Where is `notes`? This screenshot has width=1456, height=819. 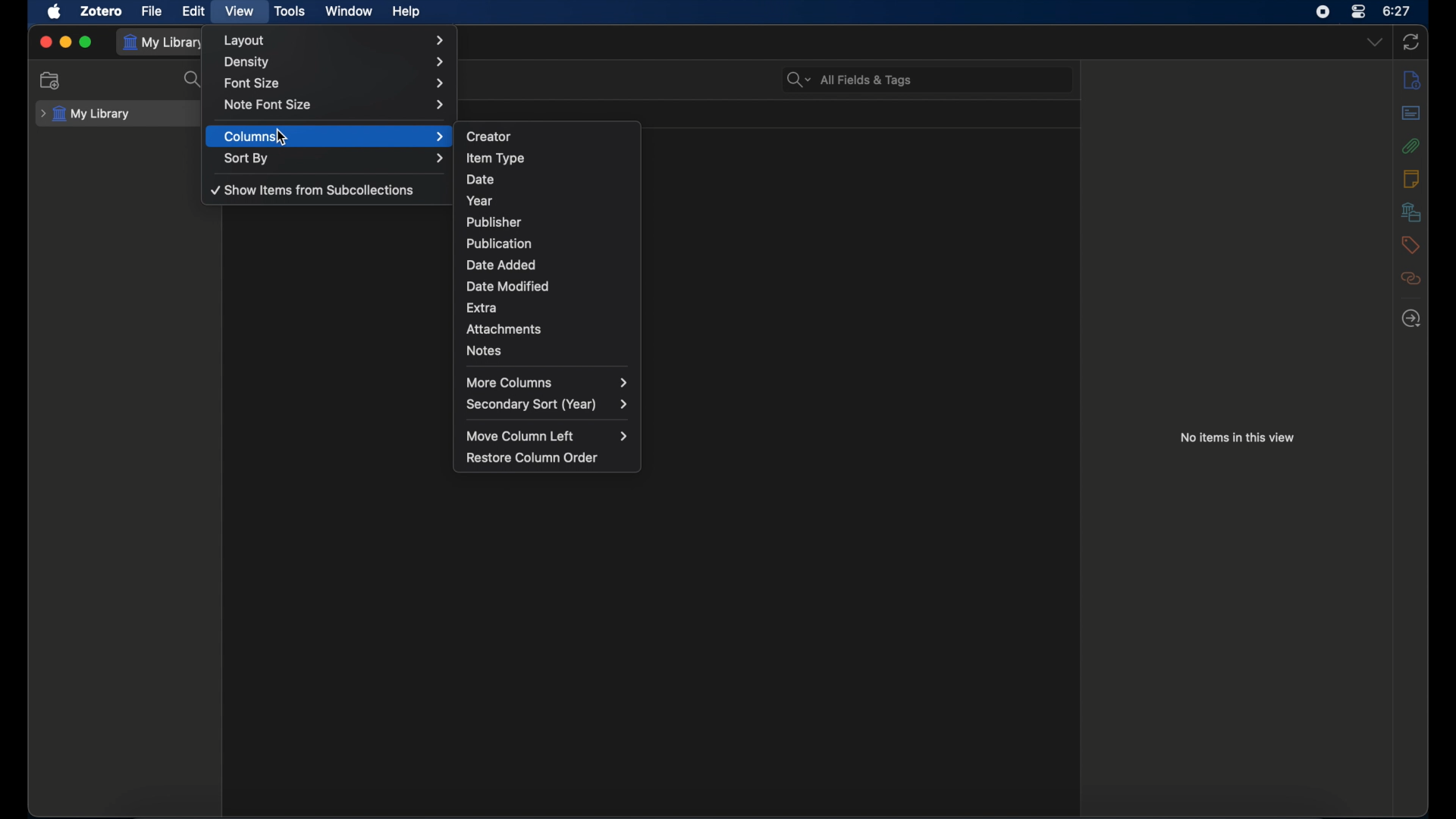 notes is located at coordinates (485, 351).